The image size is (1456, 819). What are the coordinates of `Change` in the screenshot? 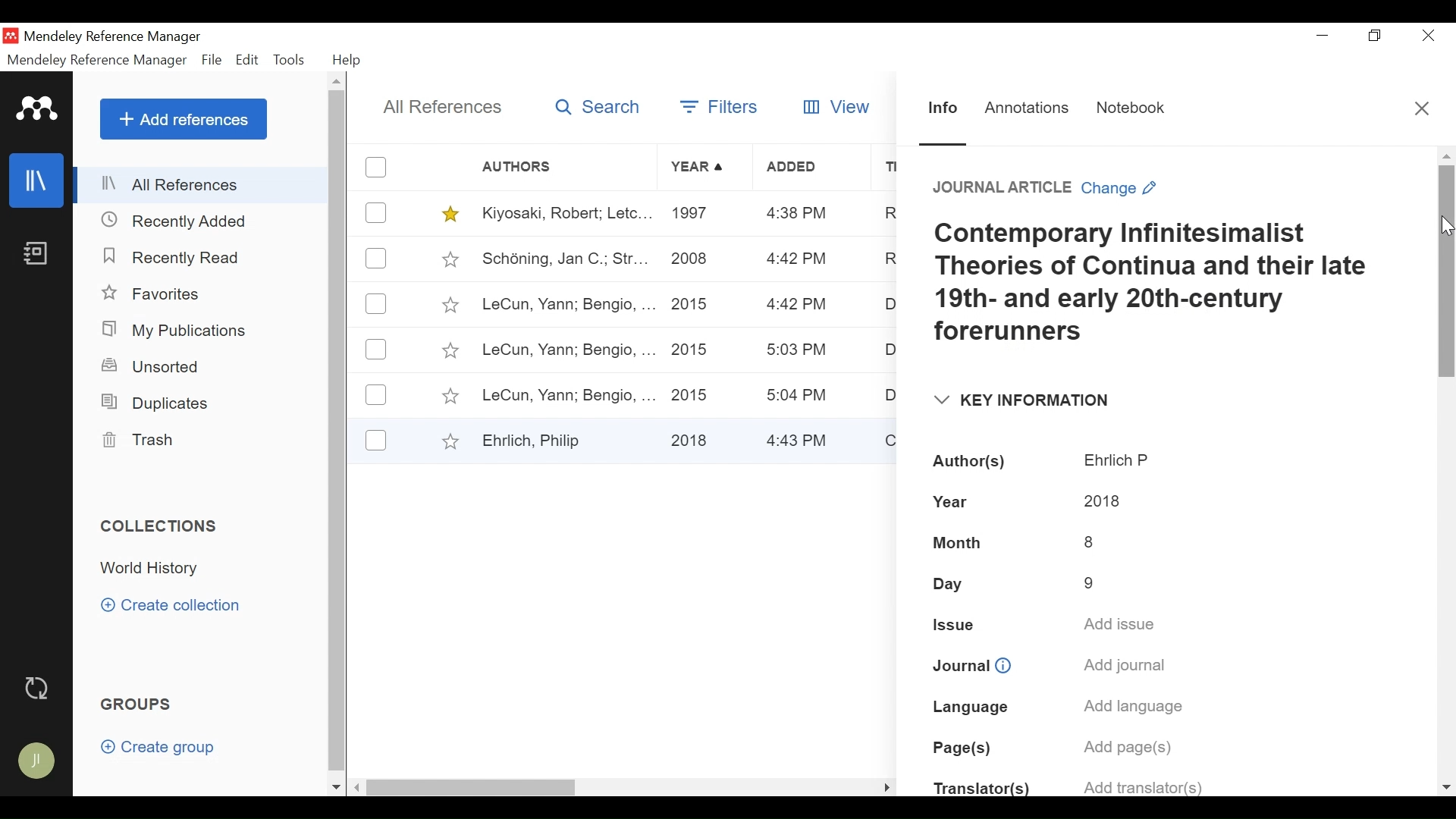 It's located at (1125, 189).